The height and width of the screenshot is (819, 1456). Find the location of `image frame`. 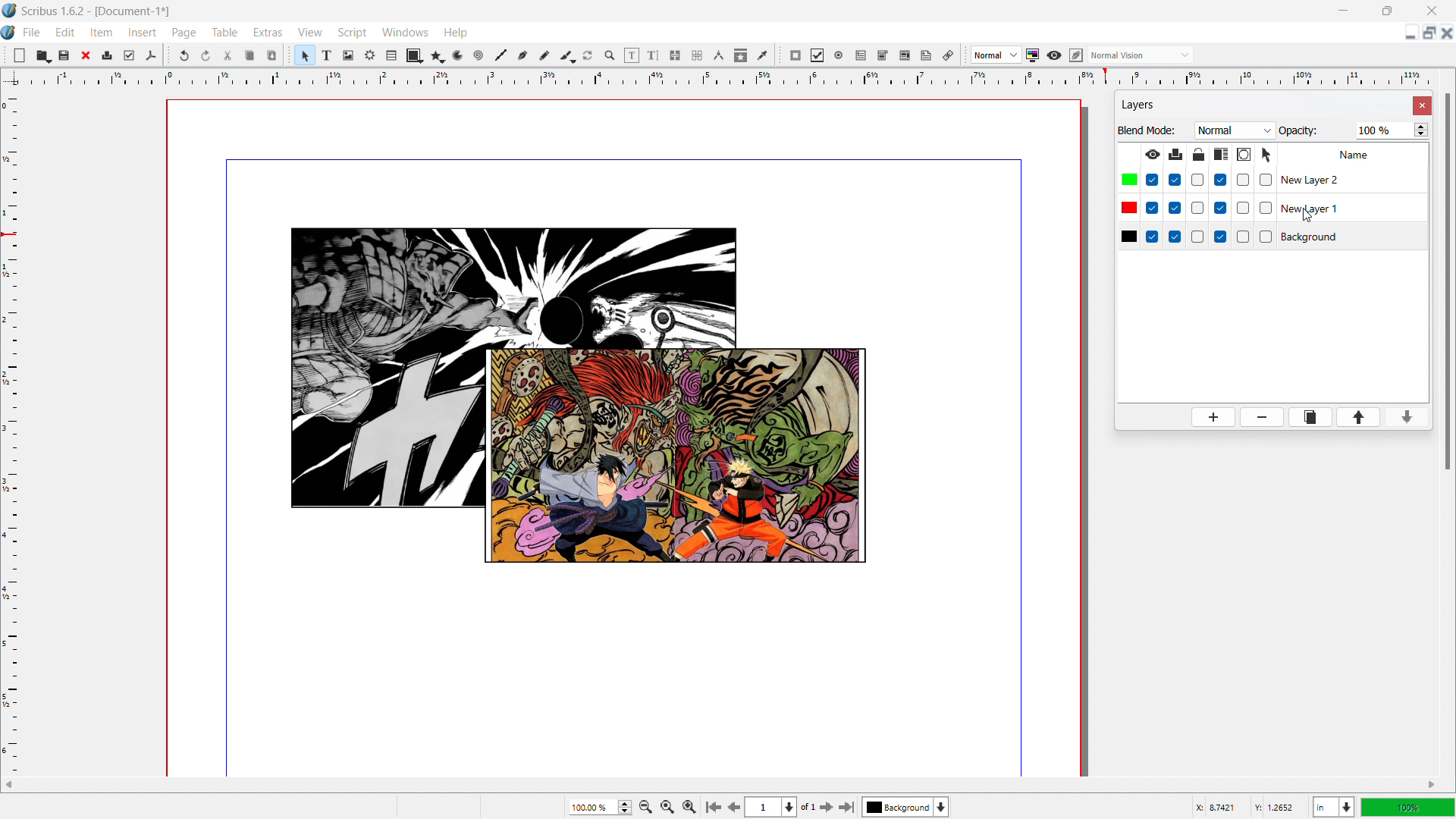

image frame is located at coordinates (349, 55).